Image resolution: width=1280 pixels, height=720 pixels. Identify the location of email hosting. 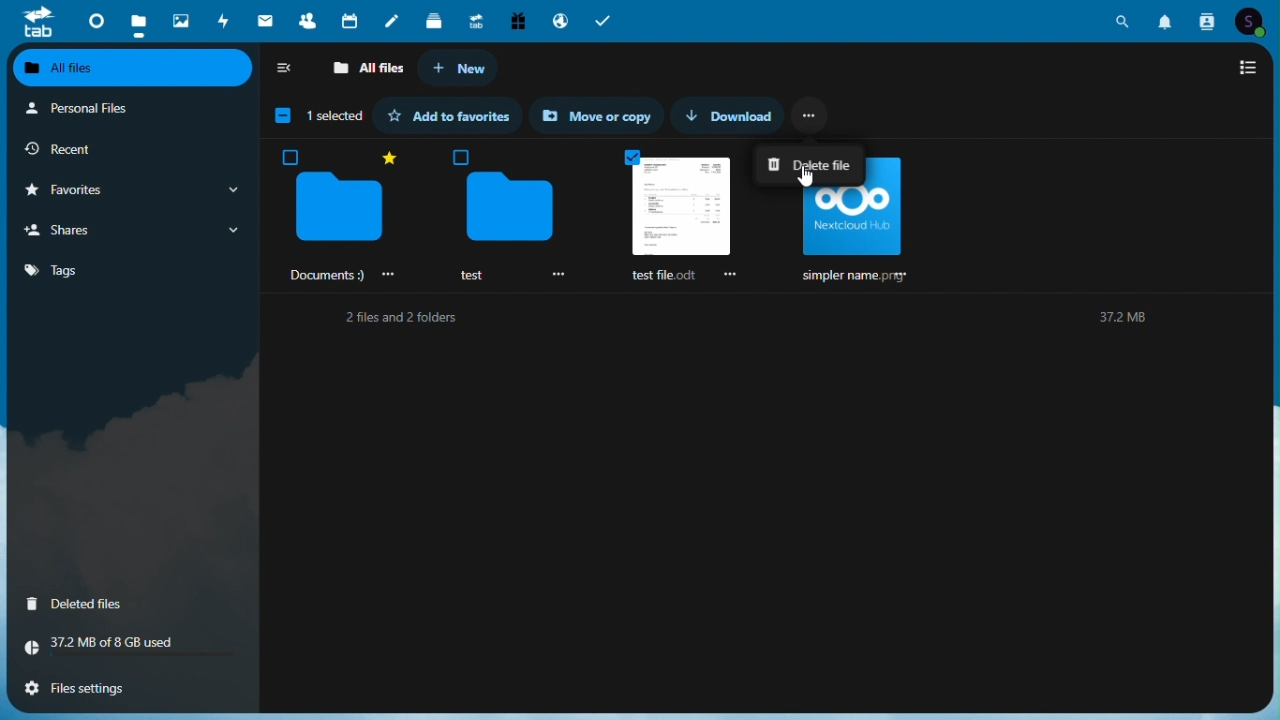
(560, 17).